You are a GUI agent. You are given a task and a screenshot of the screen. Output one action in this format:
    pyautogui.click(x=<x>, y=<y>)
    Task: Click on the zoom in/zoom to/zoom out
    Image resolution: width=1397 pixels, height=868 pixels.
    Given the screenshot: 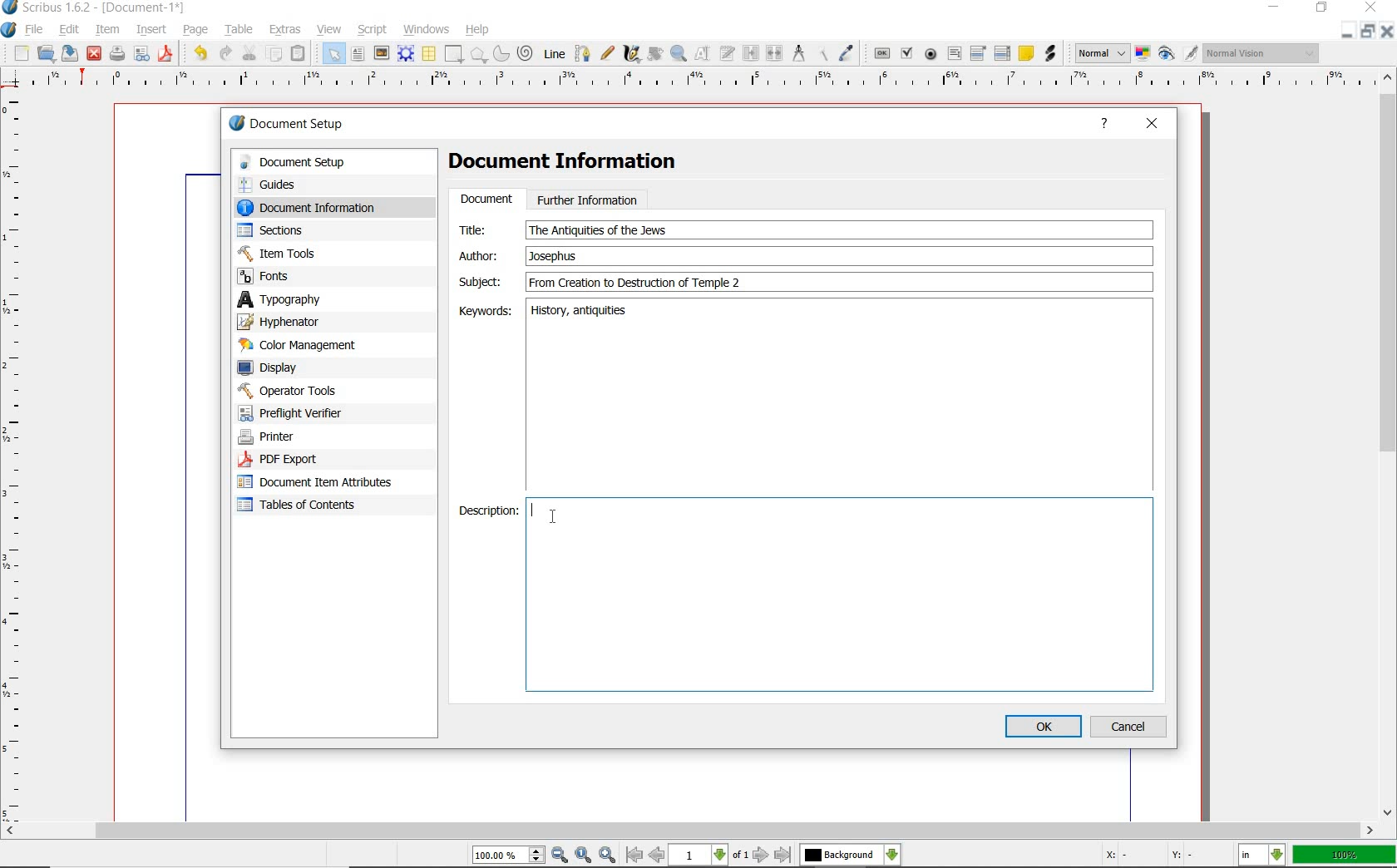 What is the action you would take?
    pyautogui.click(x=546, y=855)
    